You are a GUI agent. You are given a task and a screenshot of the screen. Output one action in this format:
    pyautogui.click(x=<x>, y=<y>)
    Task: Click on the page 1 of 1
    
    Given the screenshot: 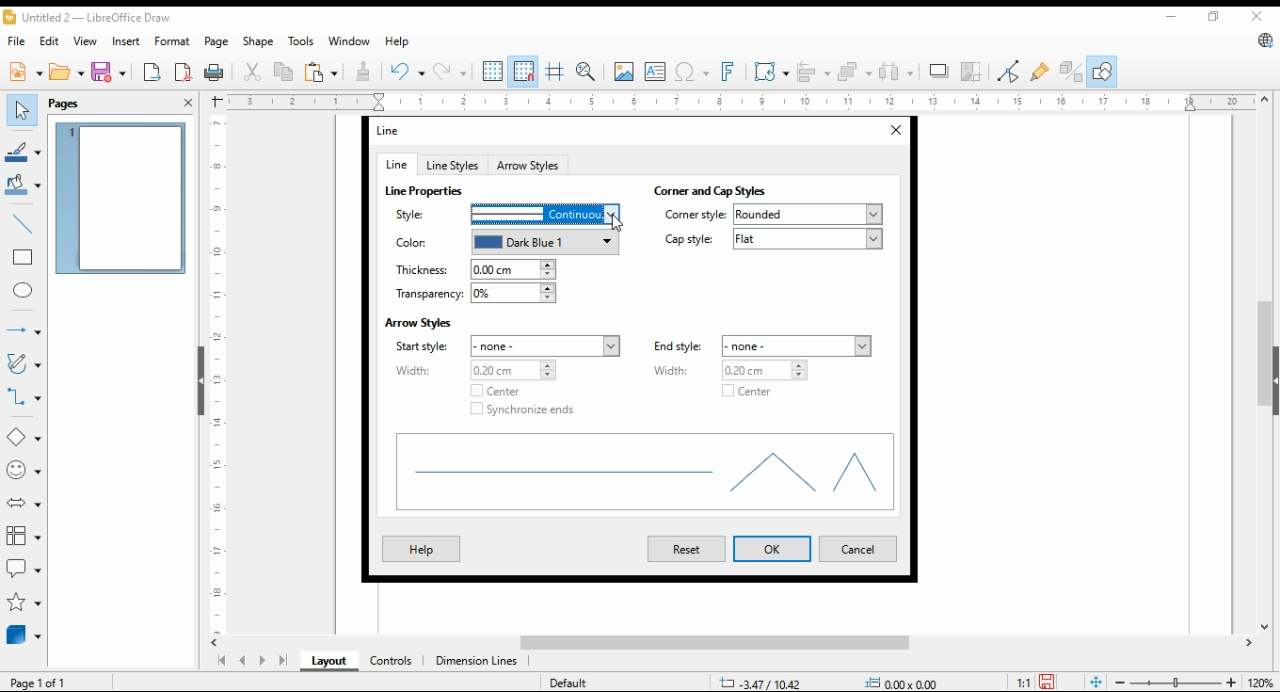 What is the action you would take?
    pyautogui.click(x=40, y=682)
    